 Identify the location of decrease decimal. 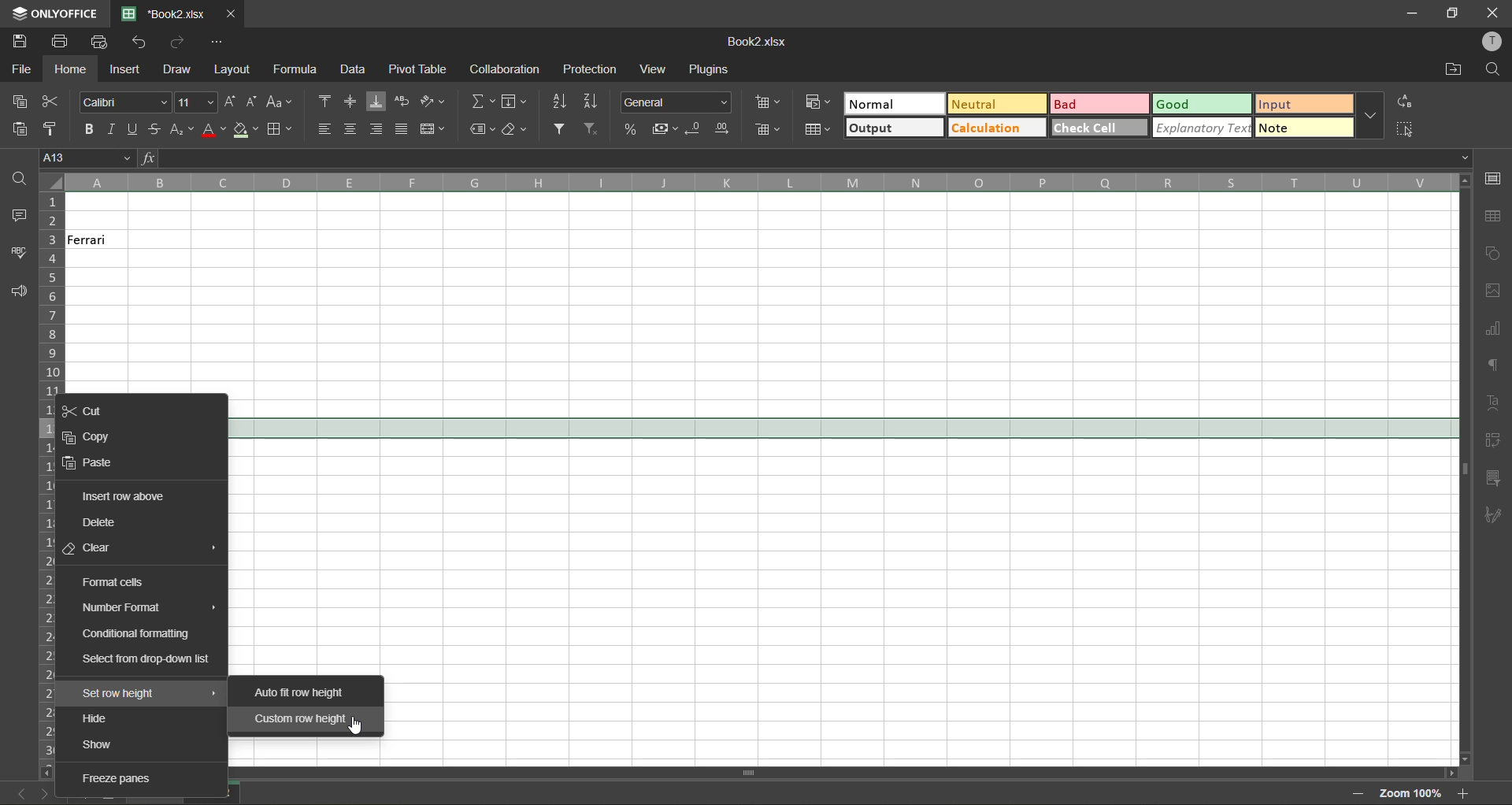
(696, 128).